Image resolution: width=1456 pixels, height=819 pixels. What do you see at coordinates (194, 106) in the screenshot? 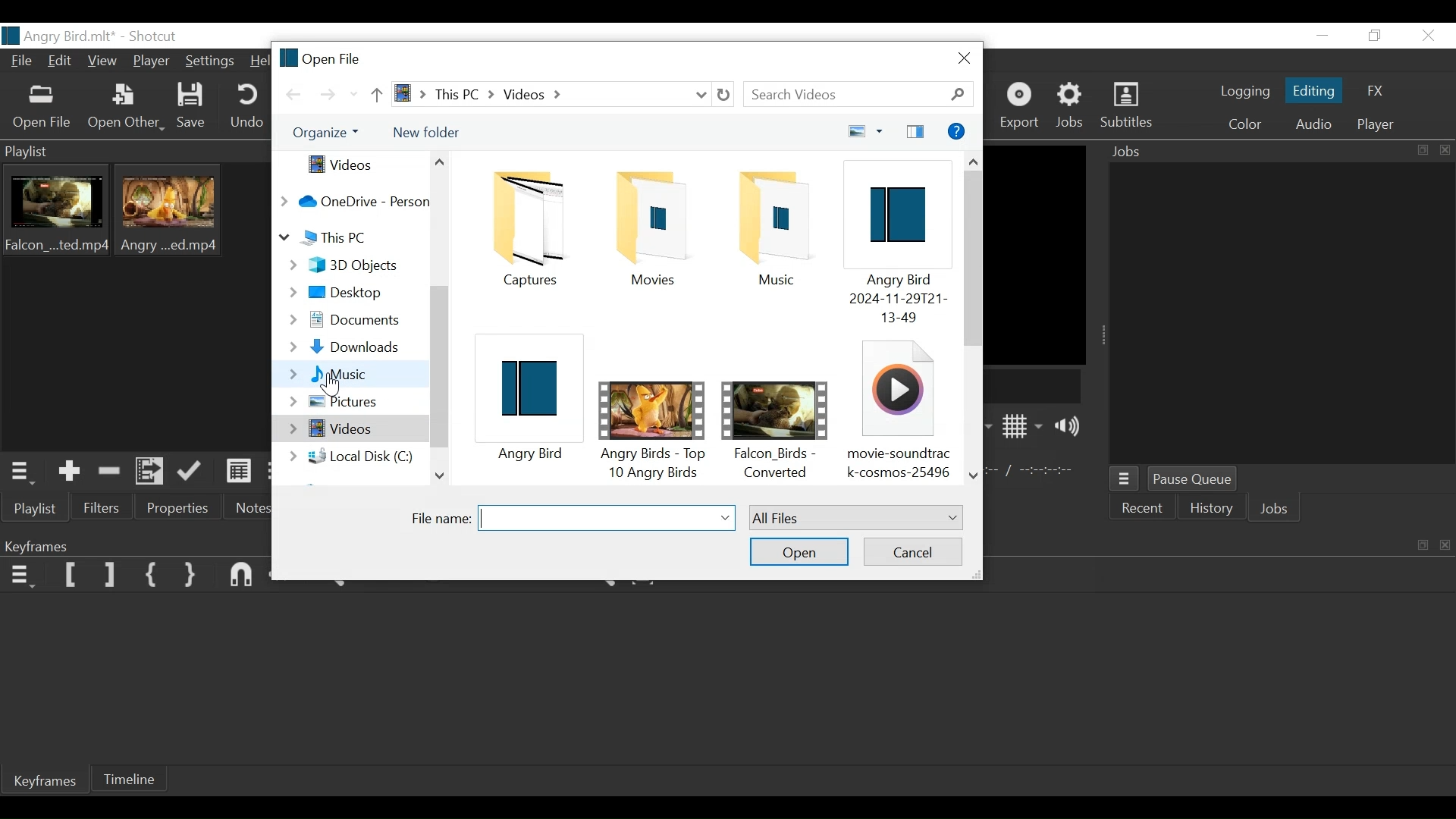
I see `Save` at bounding box center [194, 106].